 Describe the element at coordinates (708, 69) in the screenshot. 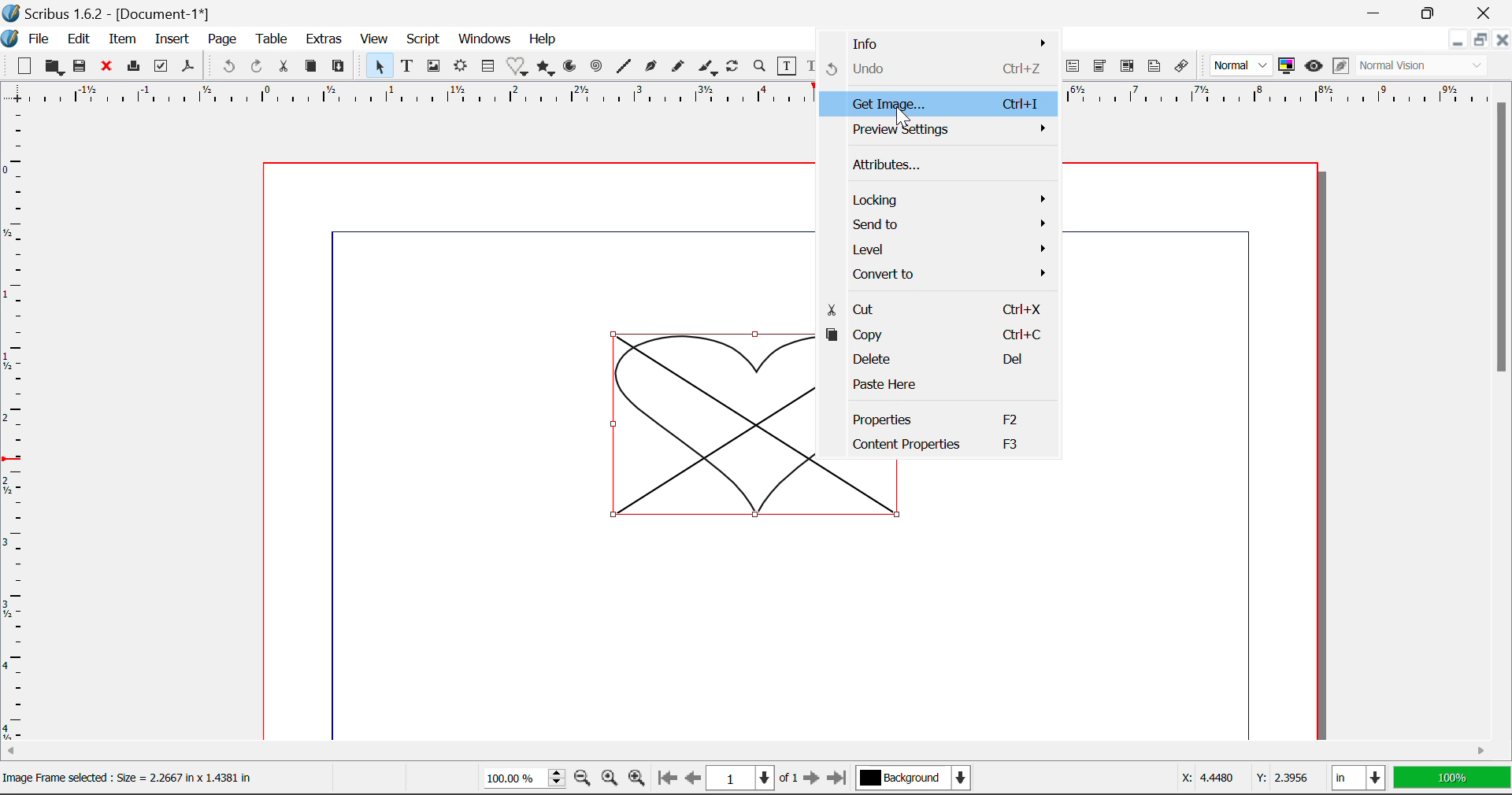

I see `Calligraphic Curve` at that location.